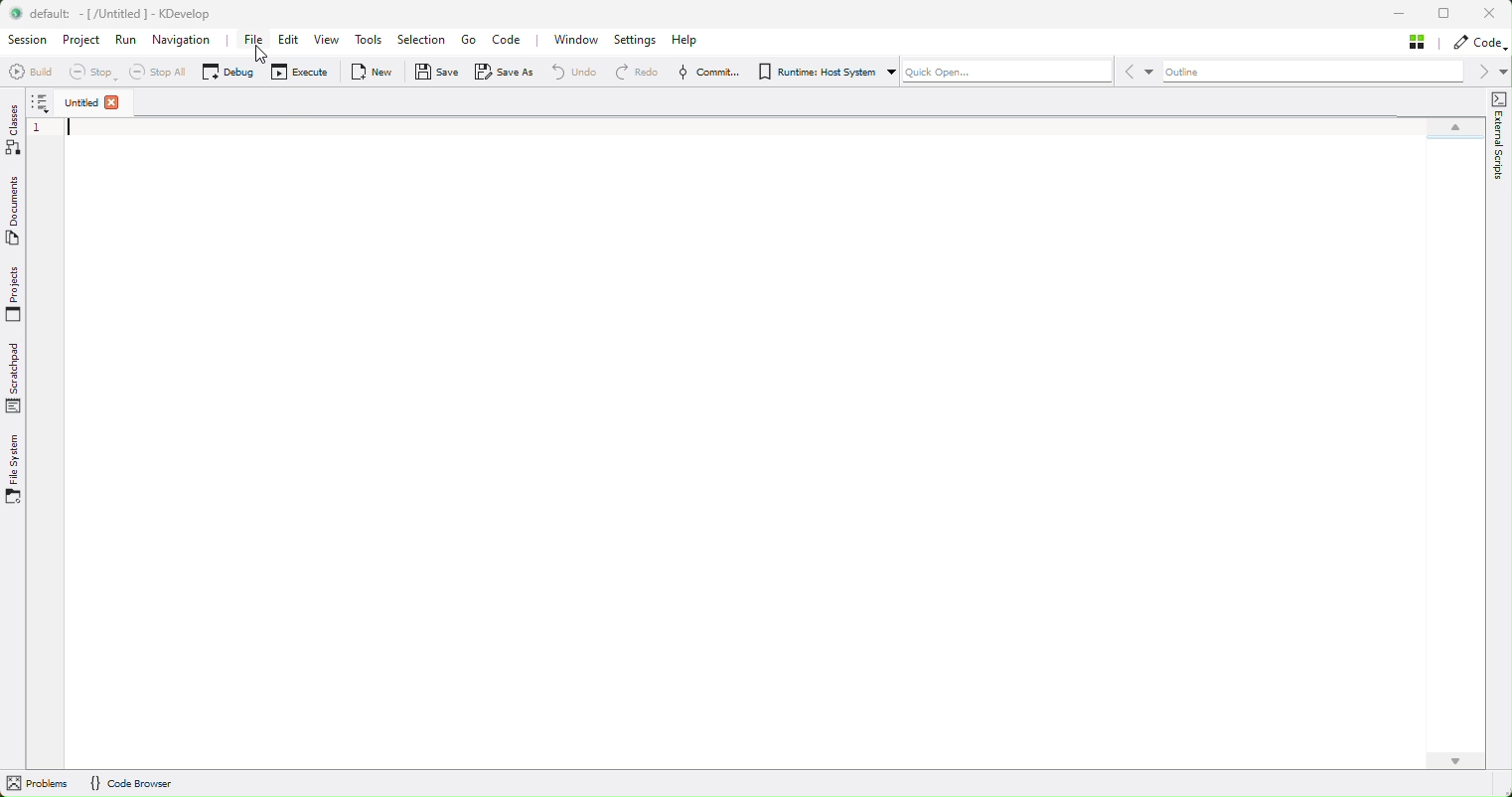 The image size is (1512, 797). What do you see at coordinates (639, 41) in the screenshot?
I see `Settings` at bounding box center [639, 41].